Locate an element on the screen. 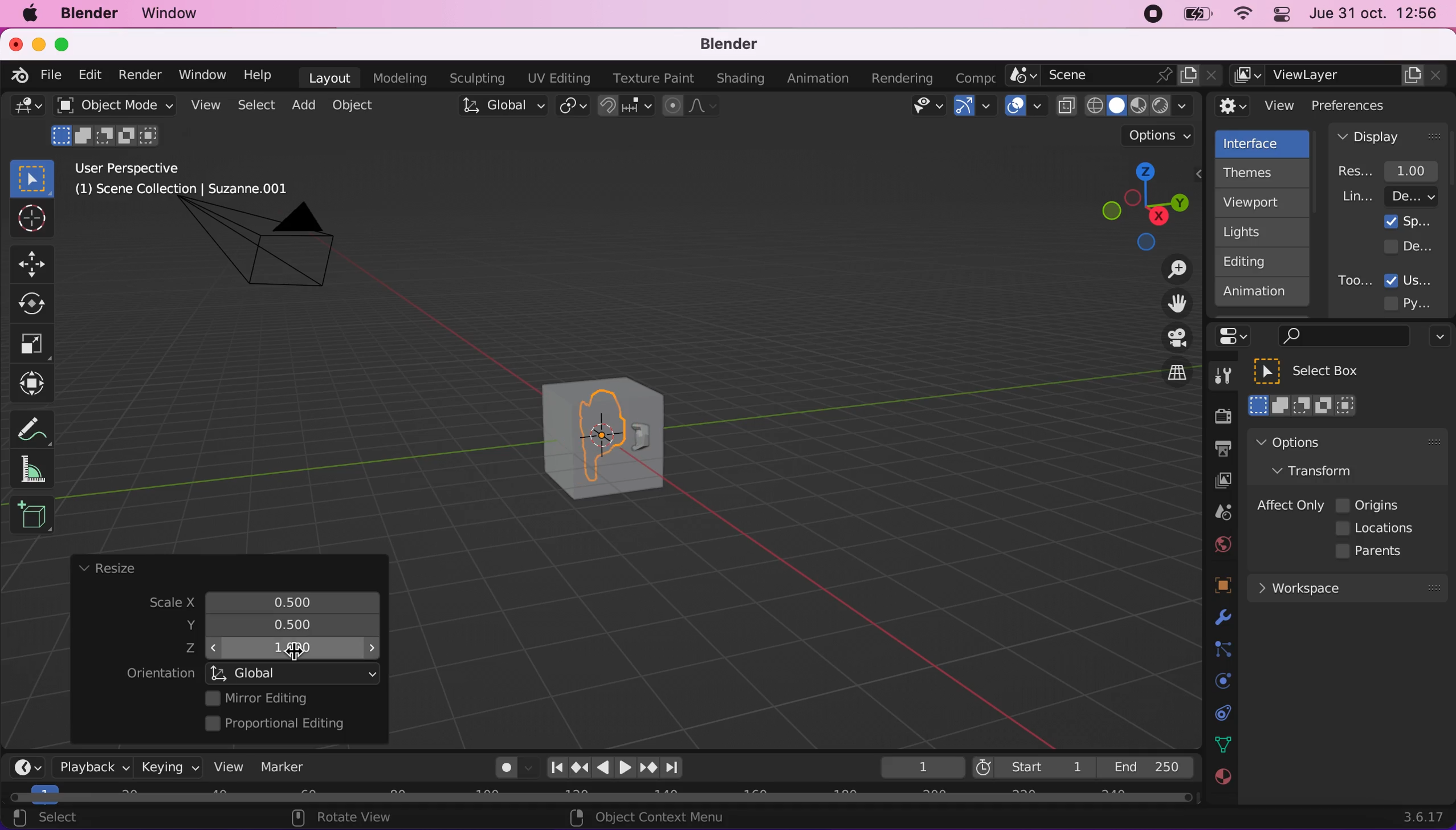  end 250 is located at coordinates (1145, 766).